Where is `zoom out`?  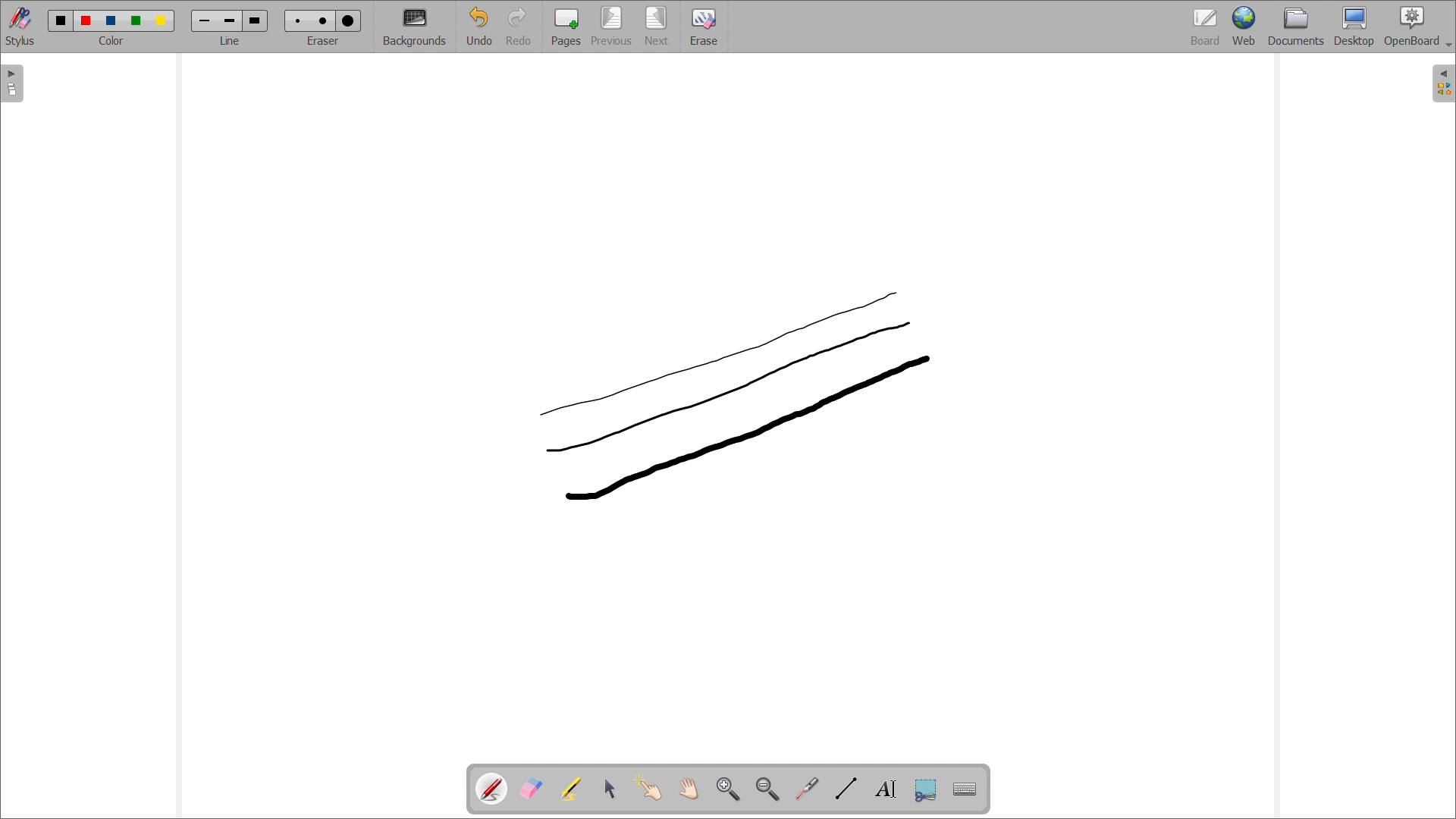 zoom out is located at coordinates (768, 789).